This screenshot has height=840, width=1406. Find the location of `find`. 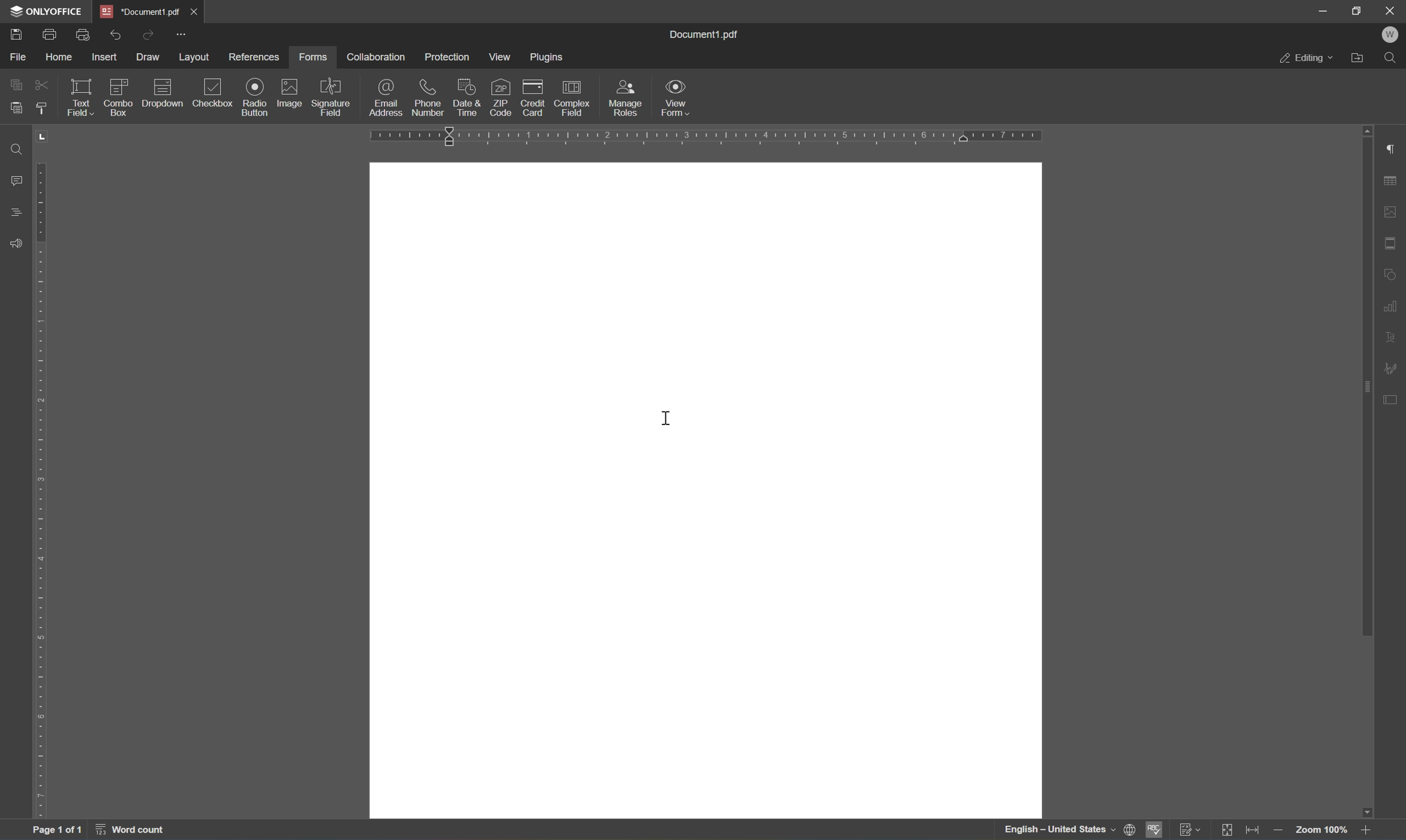

find is located at coordinates (1392, 57).